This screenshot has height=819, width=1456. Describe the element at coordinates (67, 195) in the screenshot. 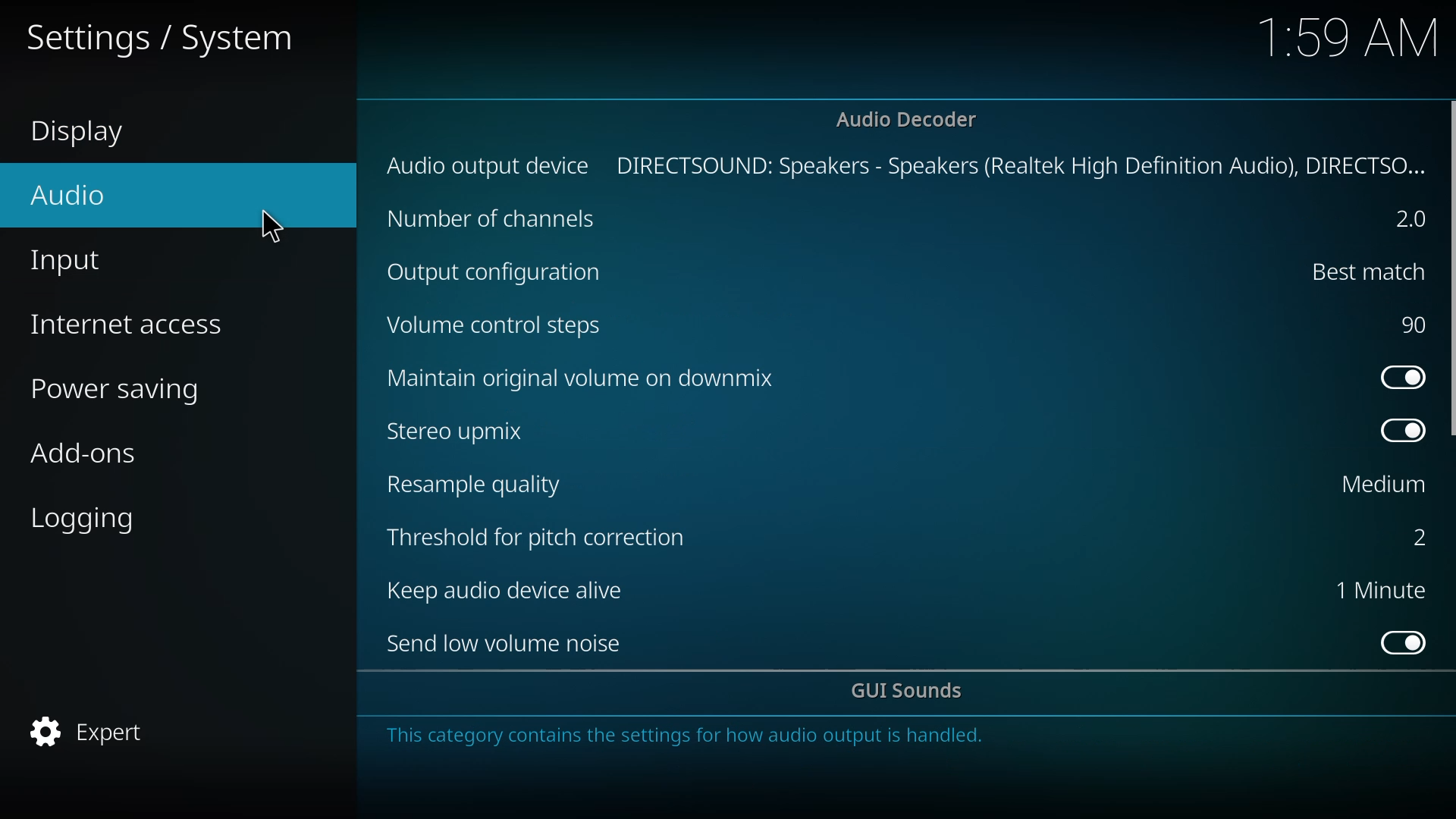

I see `audio` at that location.